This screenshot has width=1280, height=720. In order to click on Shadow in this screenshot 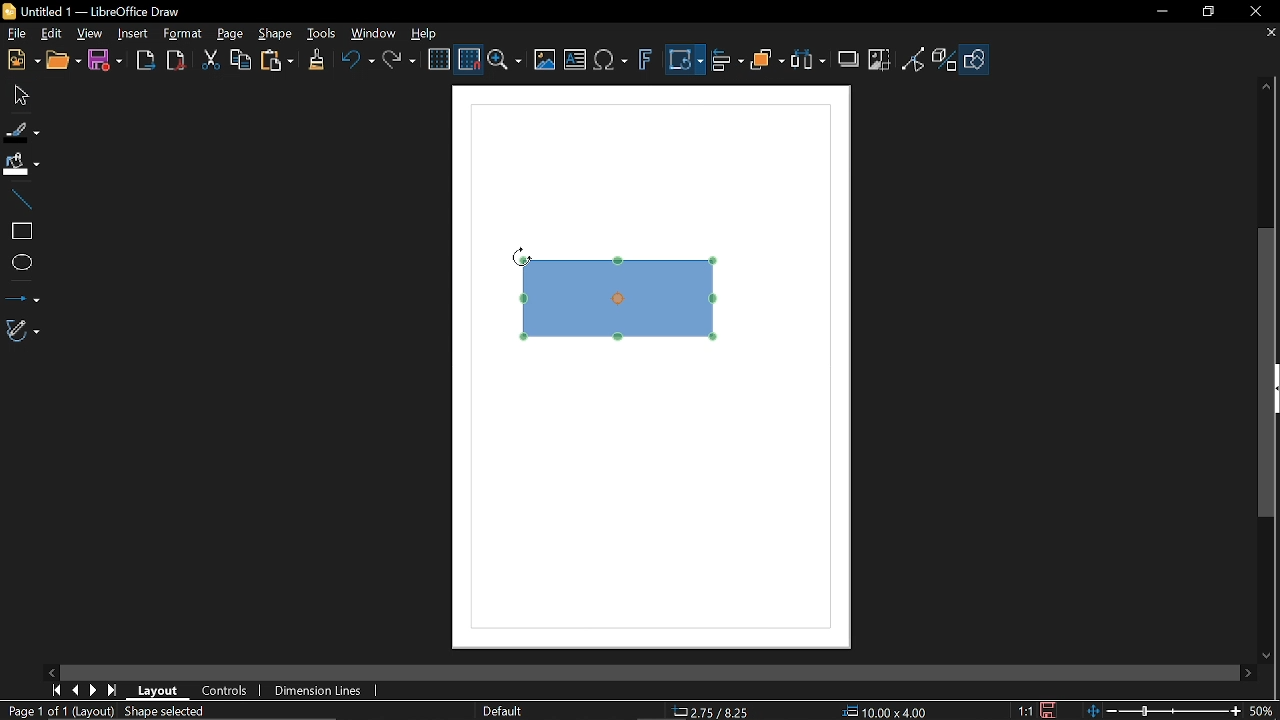, I will do `click(850, 57)`.